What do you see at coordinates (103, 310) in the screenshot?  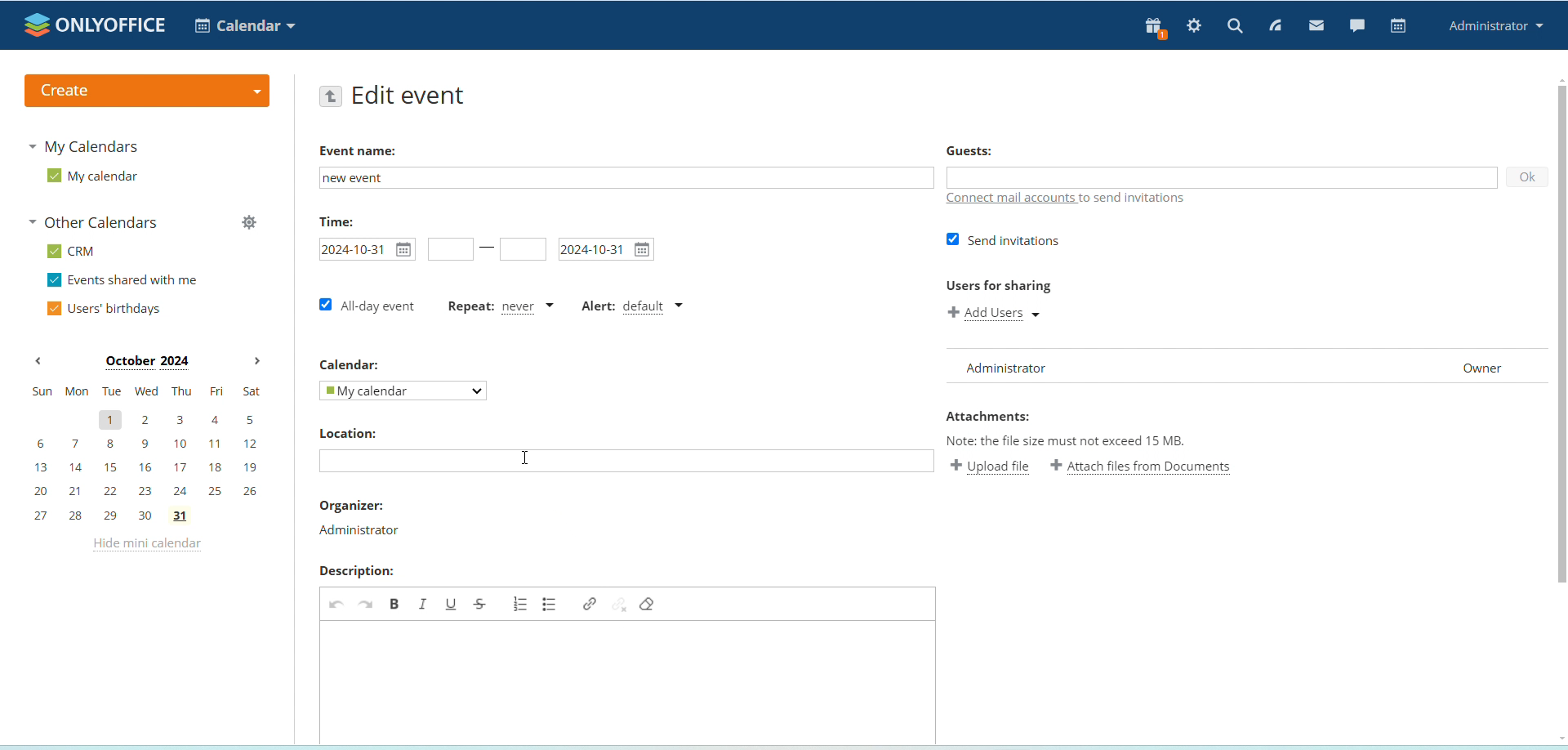 I see `users' birthdays` at bounding box center [103, 310].